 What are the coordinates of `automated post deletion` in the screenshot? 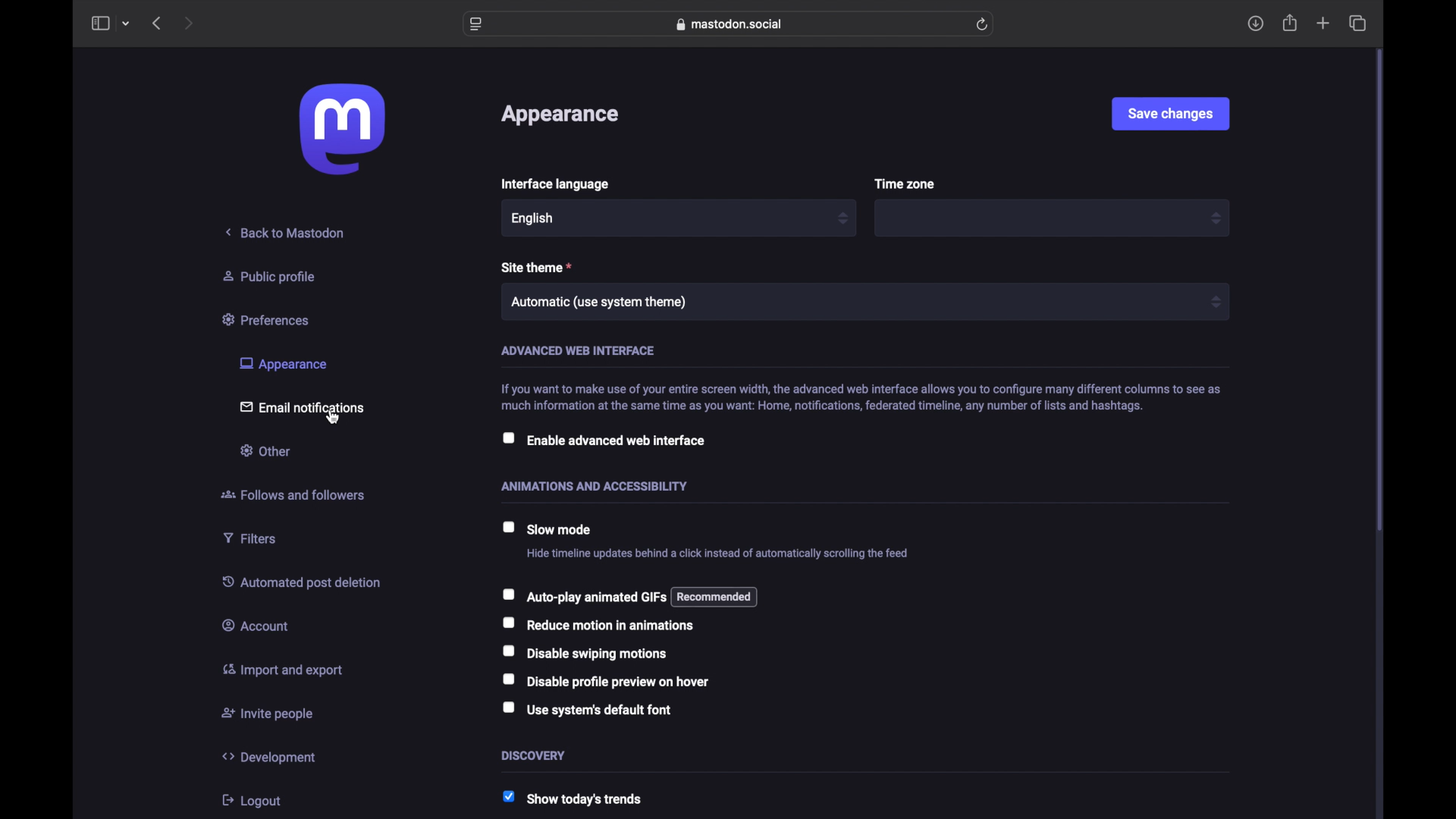 It's located at (301, 582).